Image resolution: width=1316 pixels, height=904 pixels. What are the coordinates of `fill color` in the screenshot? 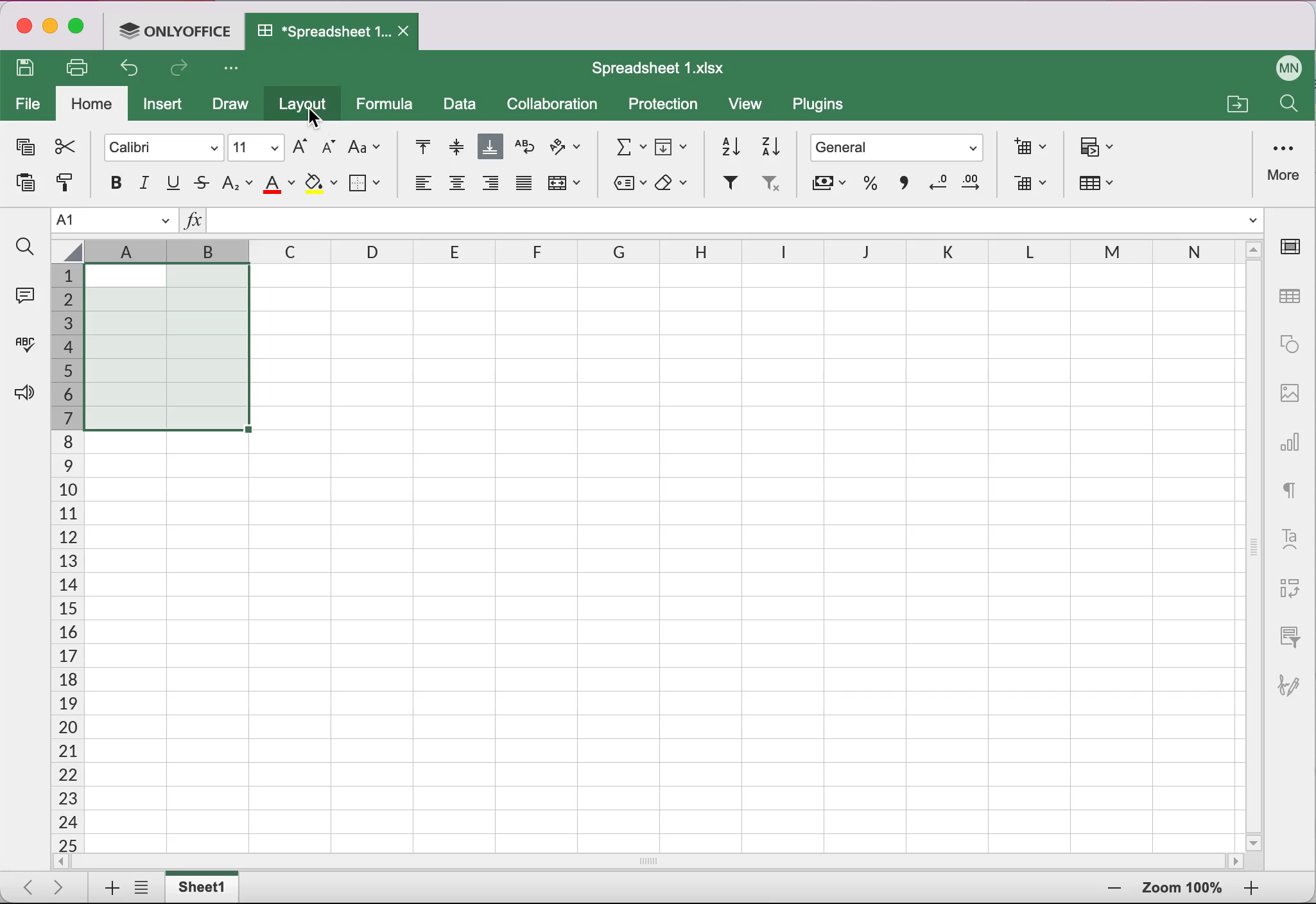 It's located at (321, 184).